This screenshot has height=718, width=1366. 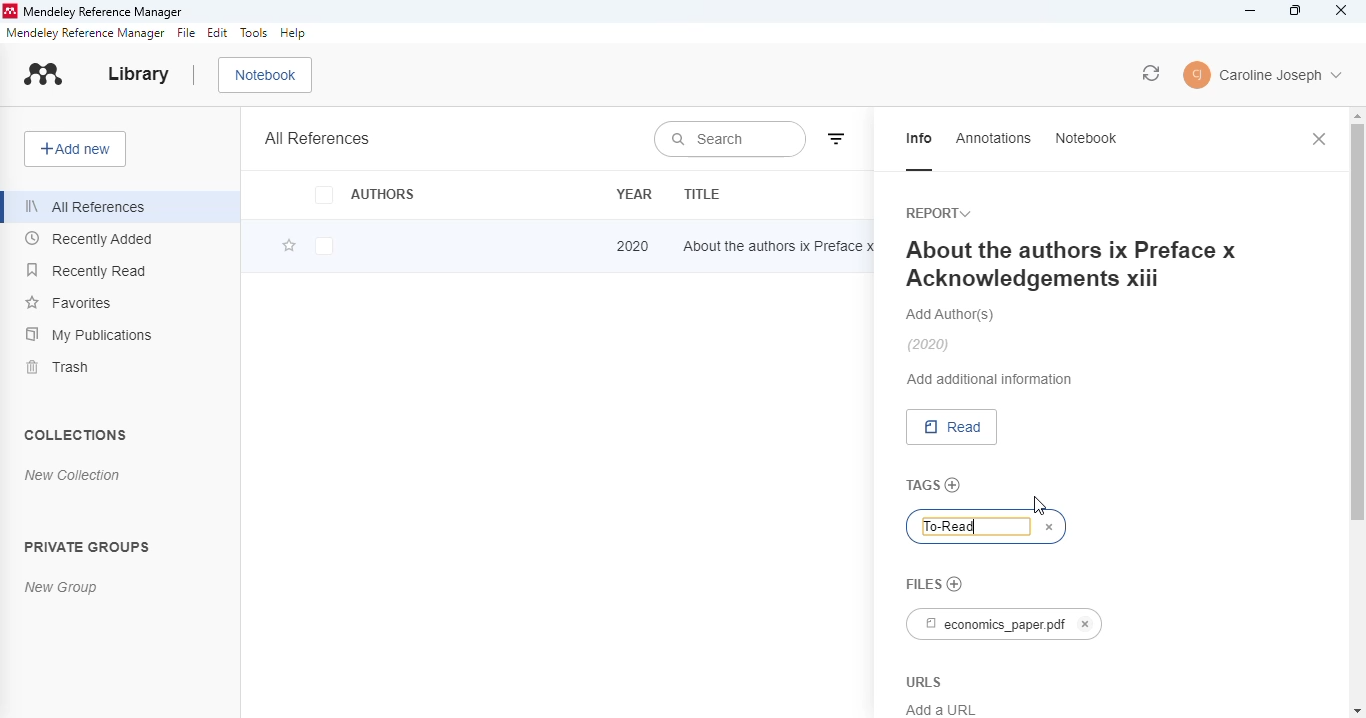 I want to click on notebook, so click(x=265, y=75).